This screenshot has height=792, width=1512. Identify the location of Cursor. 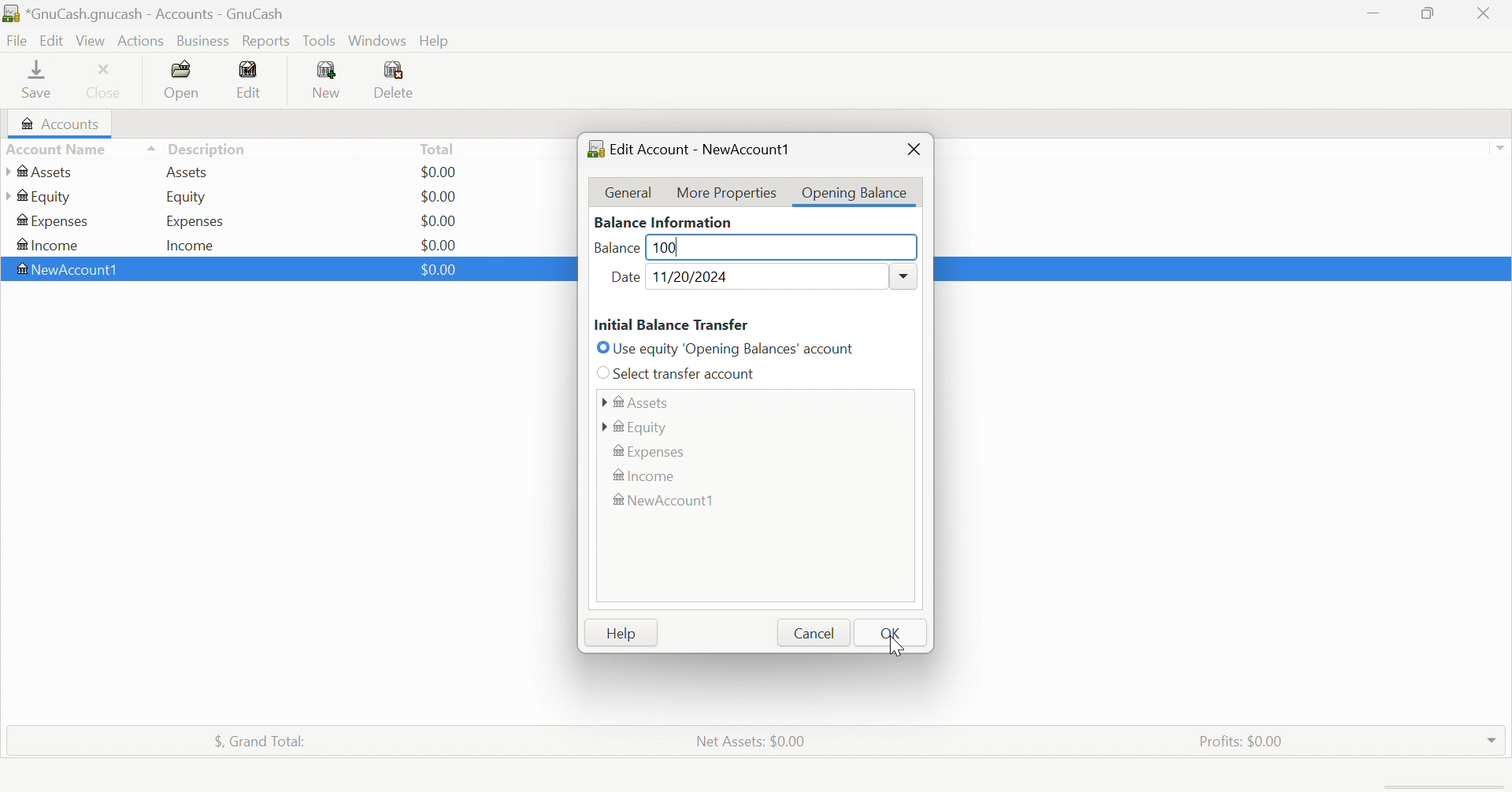
(891, 642).